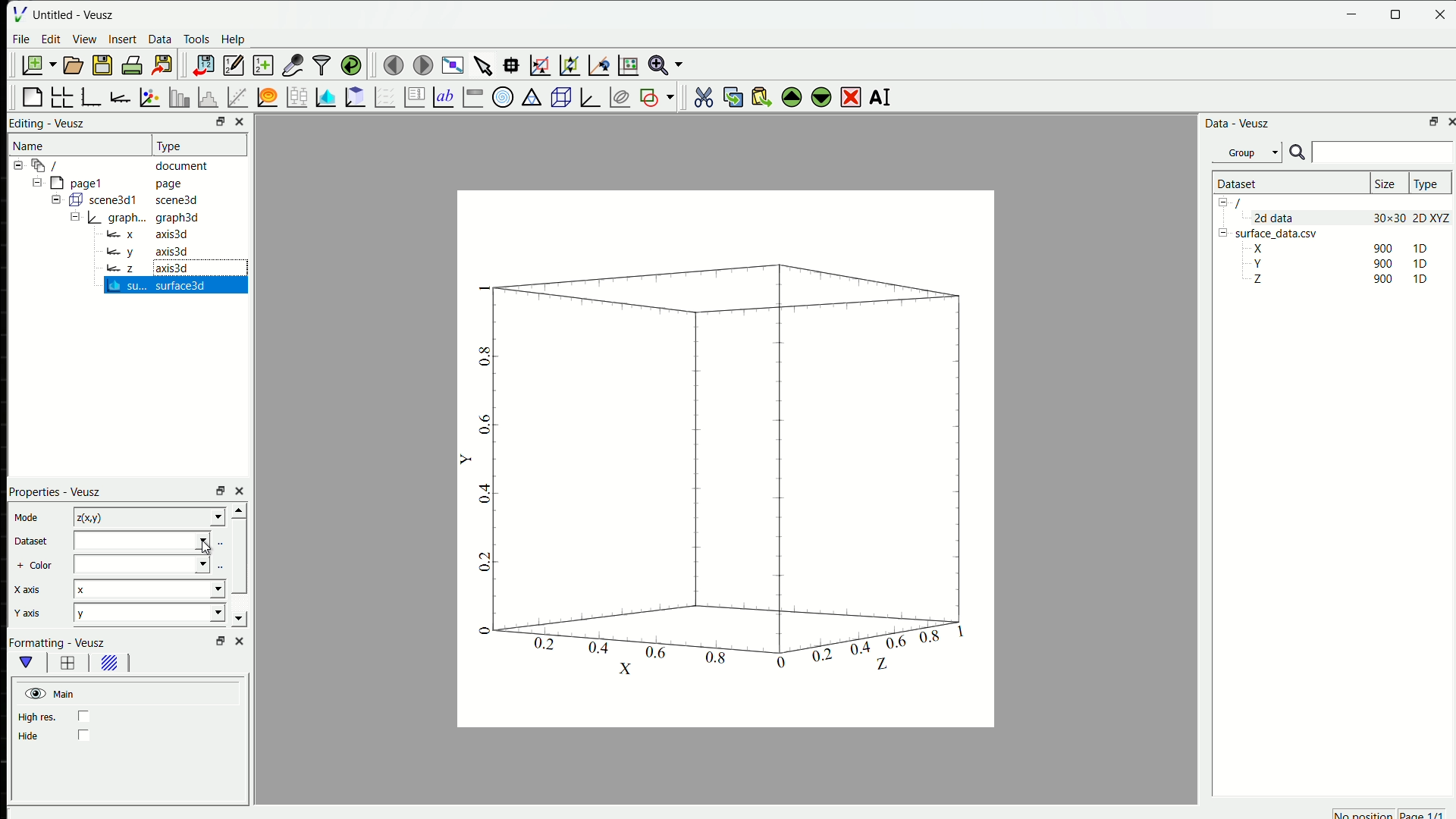  What do you see at coordinates (39, 64) in the screenshot?
I see `new document` at bounding box center [39, 64].